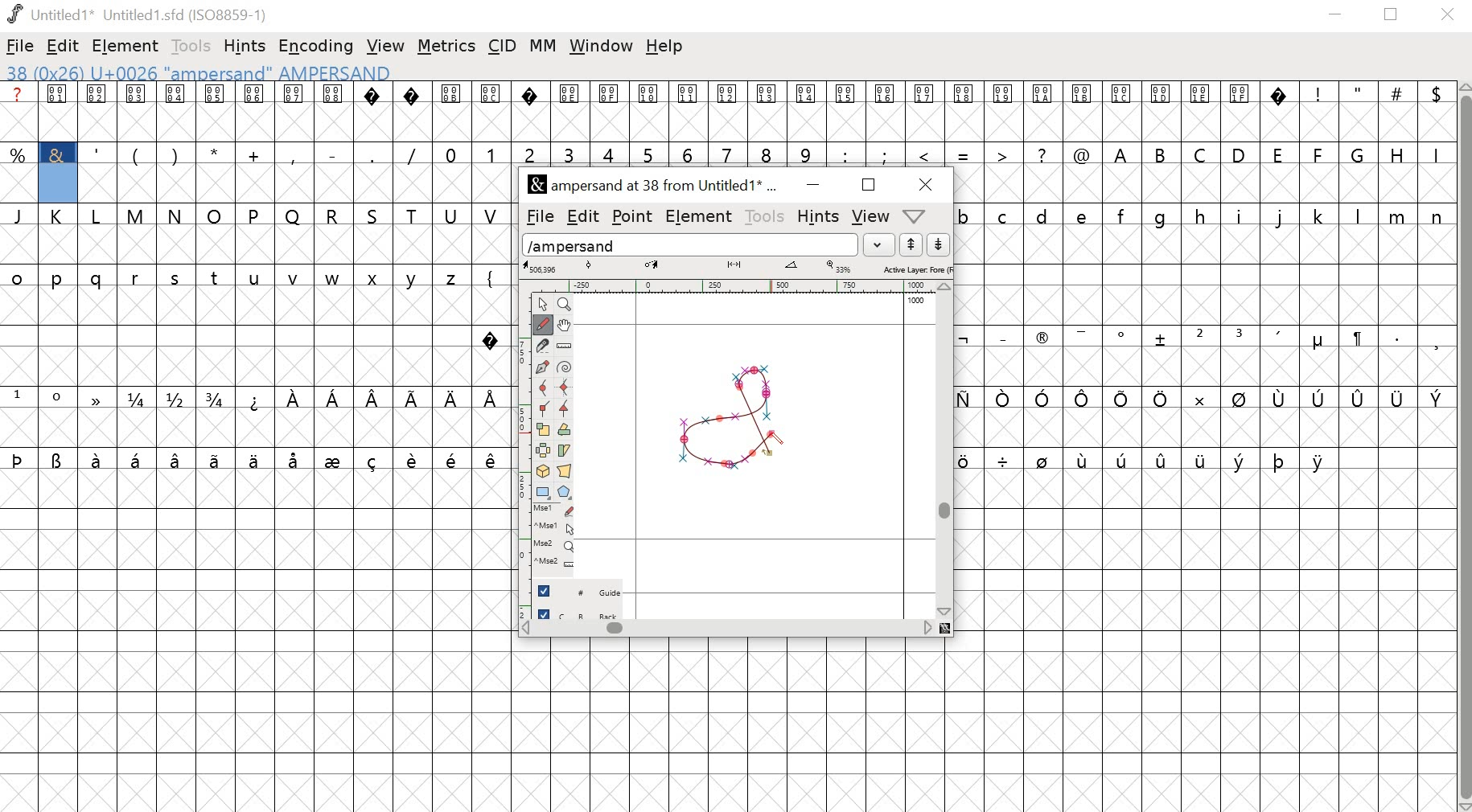 The width and height of the screenshot is (1472, 812). I want to click on 0004, so click(175, 112).